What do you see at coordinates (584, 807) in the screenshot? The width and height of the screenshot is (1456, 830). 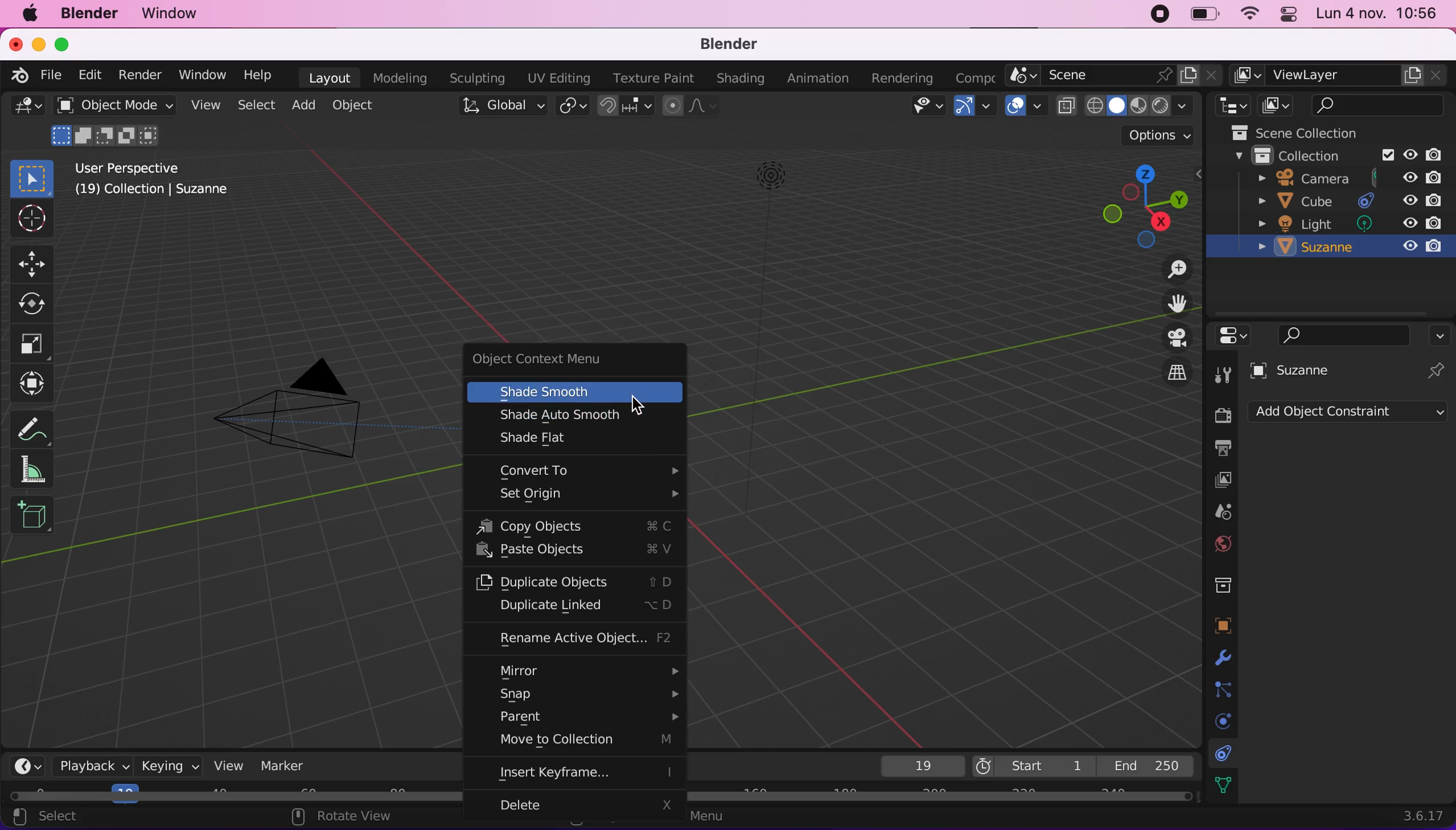 I see `delete` at bounding box center [584, 807].